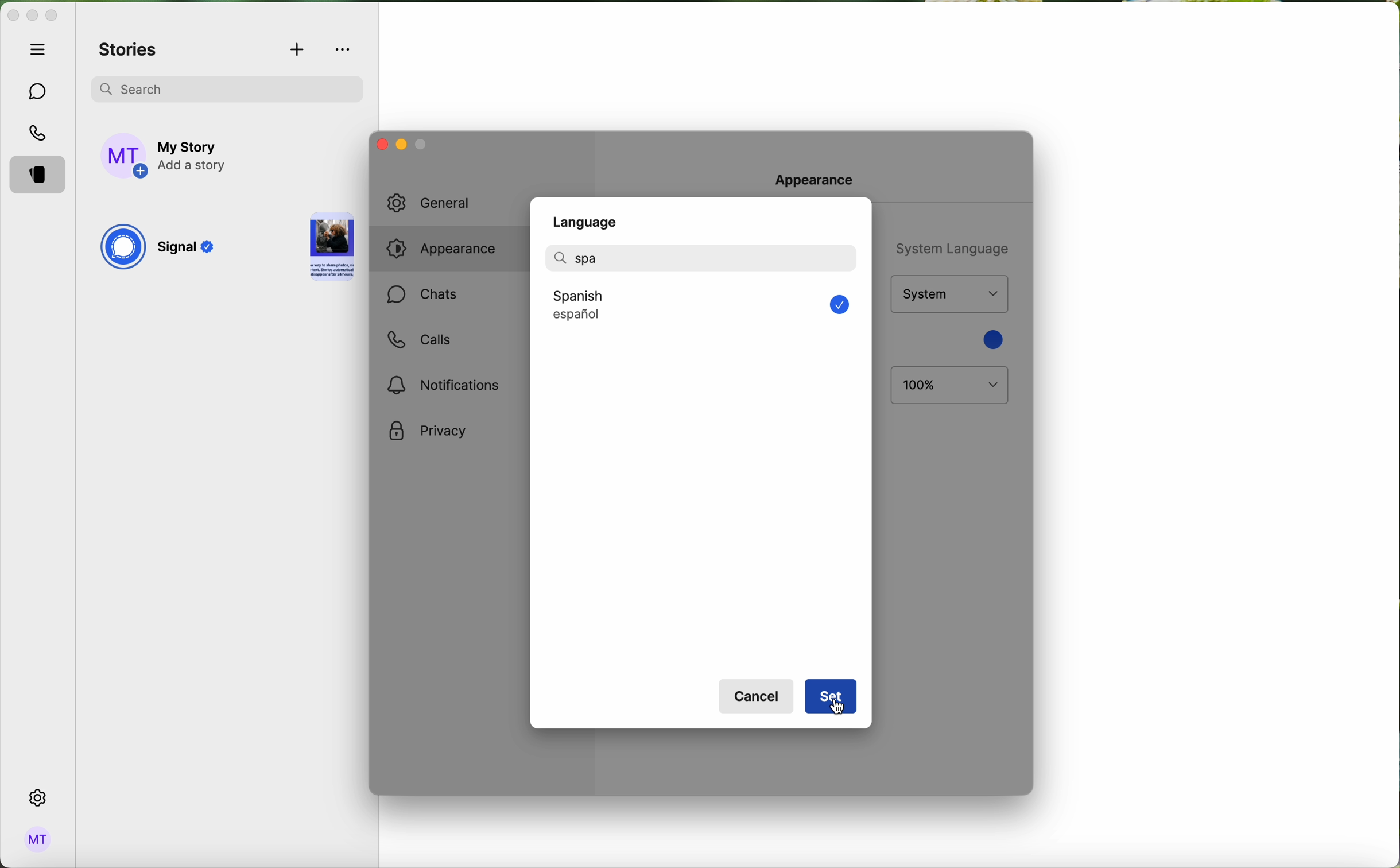  Describe the element at coordinates (125, 156) in the screenshot. I see `profile photo` at that location.